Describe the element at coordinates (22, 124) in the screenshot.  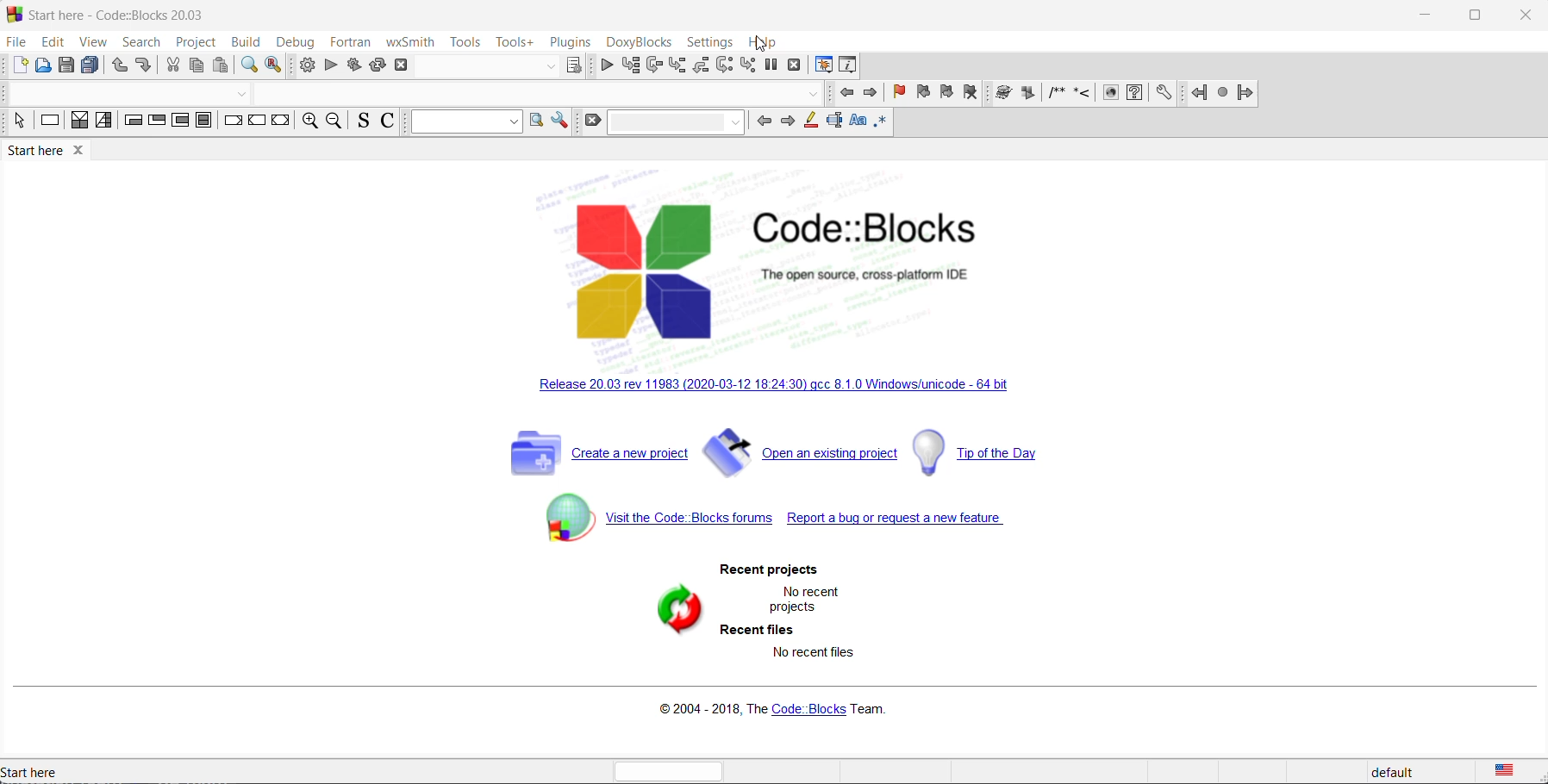
I see `select` at that location.